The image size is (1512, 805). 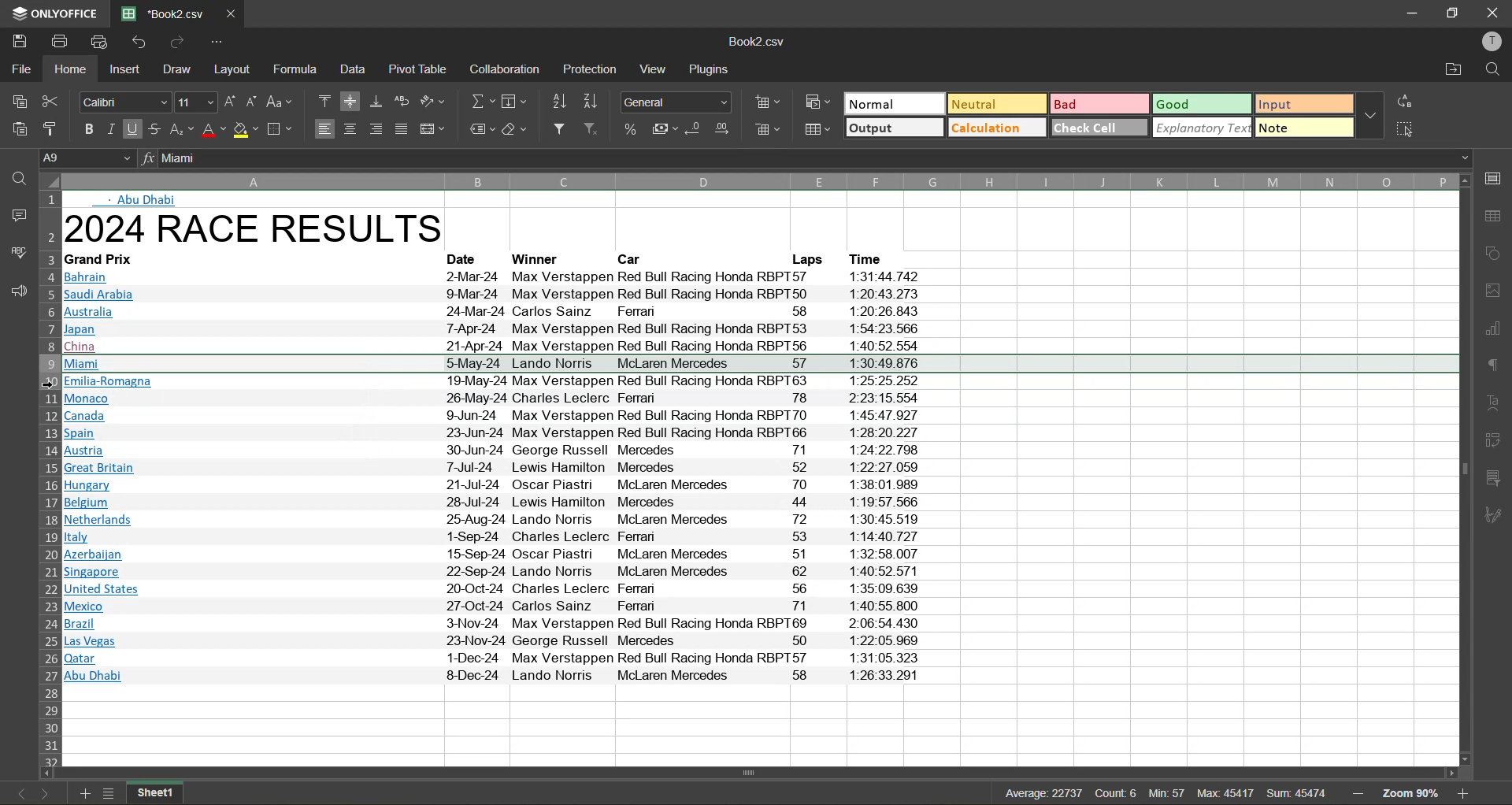 What do you see at coordinates (497, 295) in the screenshot?
I see `Saudi Arabia 9-Mar-24 Max Verstappen Red Bull Racing Honda RBPT50 1:20:43.273` at bounding box center [497, 295].